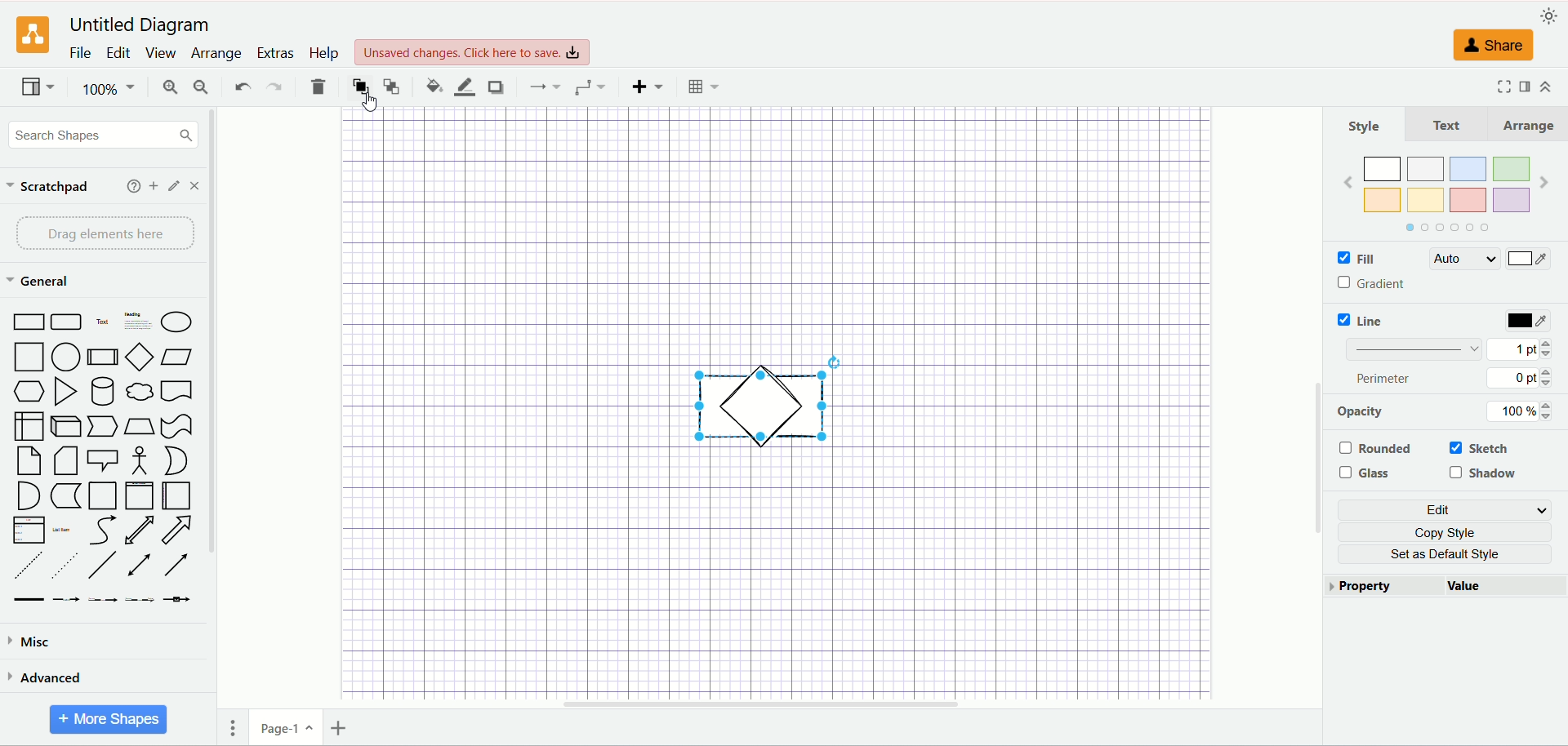  What do you see at coordinates (37, 87) in the screenshot?
I see `view` at bounding box center [37, 87].